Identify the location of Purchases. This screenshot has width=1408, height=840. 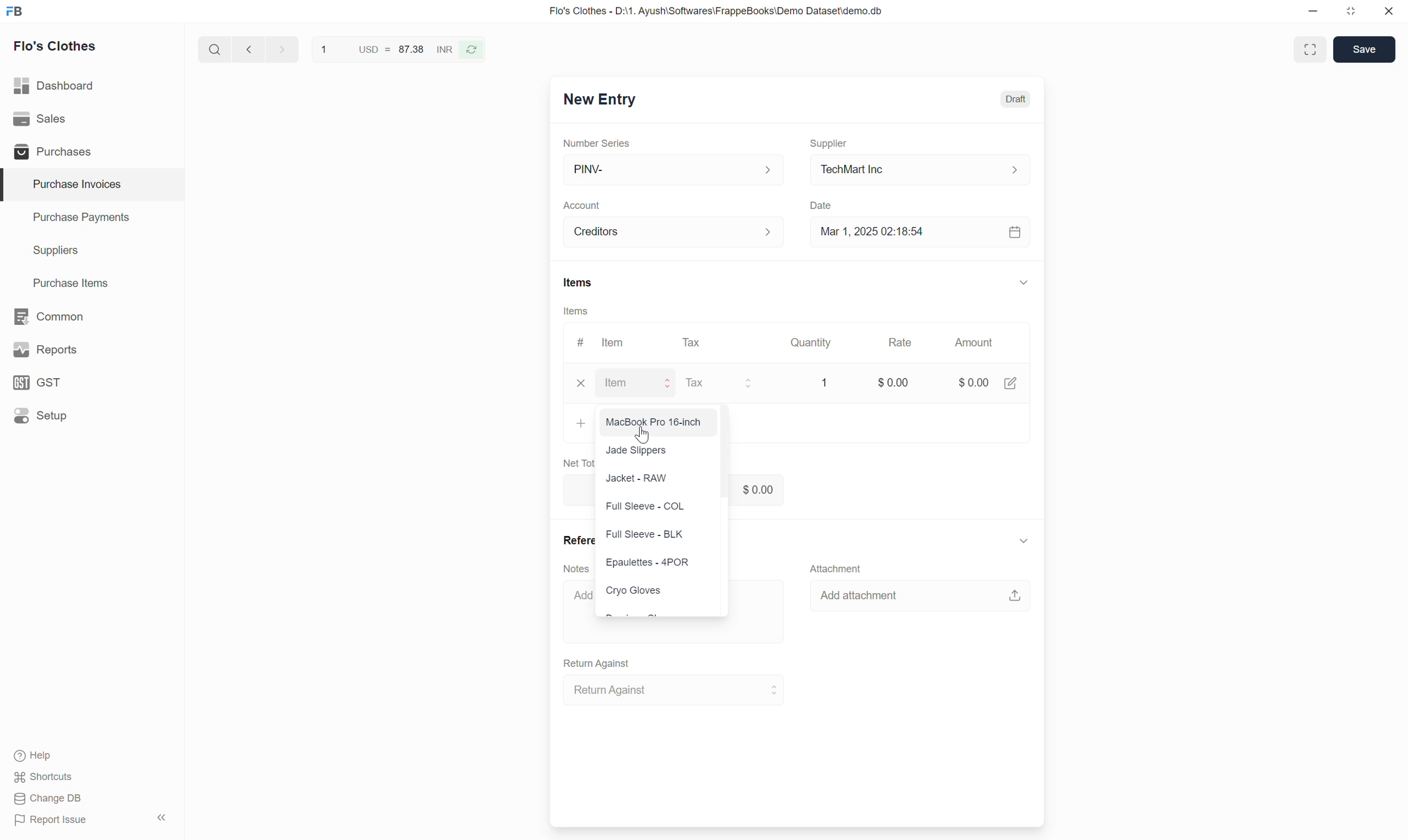
(91, 151).